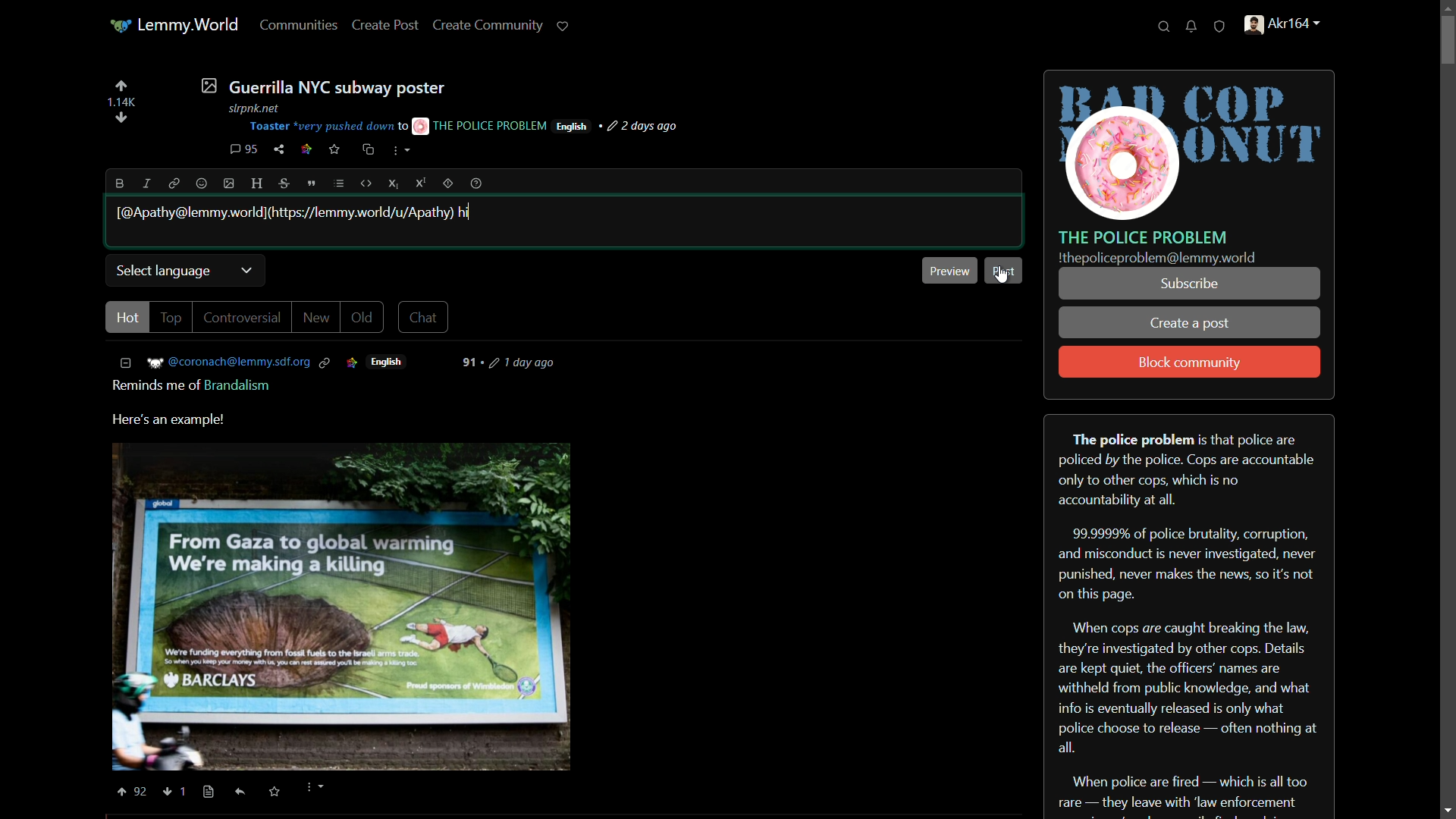  Describe the element at coordinates (127, 316) in the screenshot. I see `Hot` at that location.